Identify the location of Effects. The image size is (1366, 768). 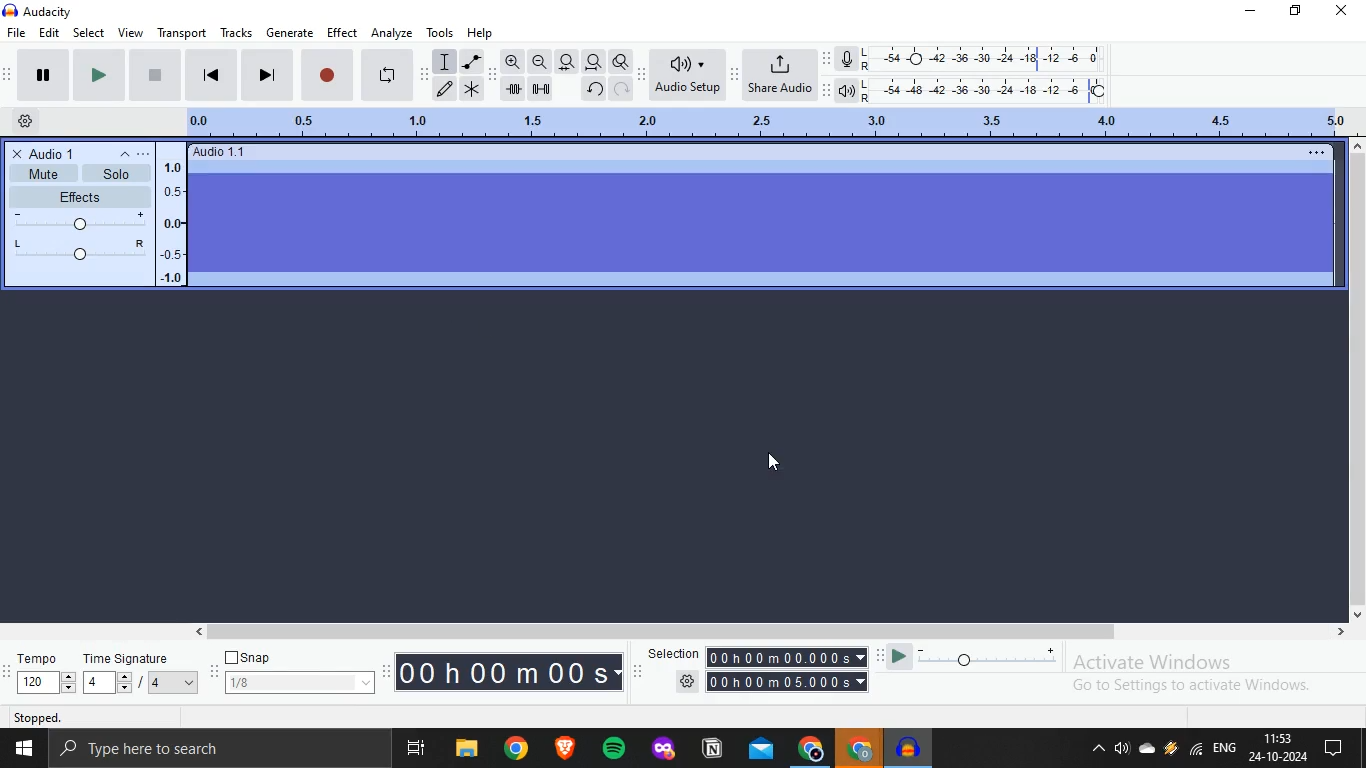
(95, 225).